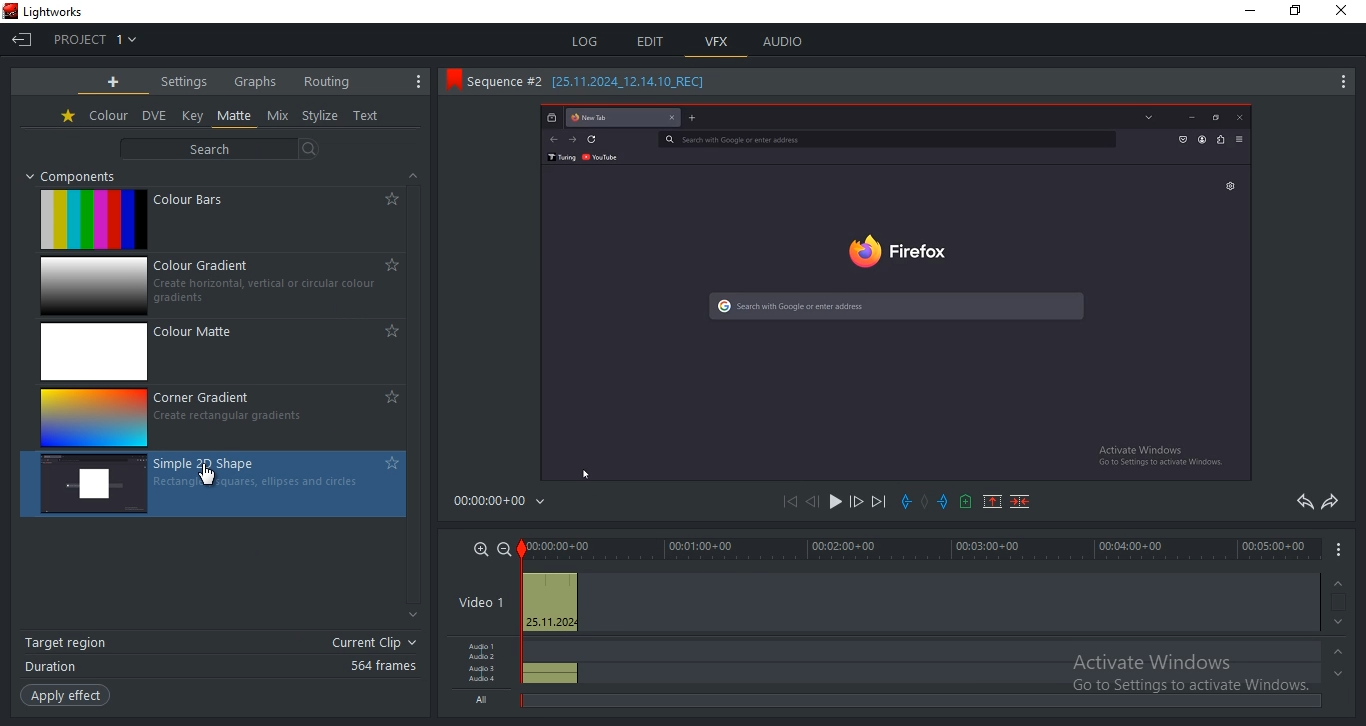 This screenshot has height=726, width=1366. What do you see at coordinates (278, 116) in the screenshot?
I see `mix` at bounding box center [278, 116].